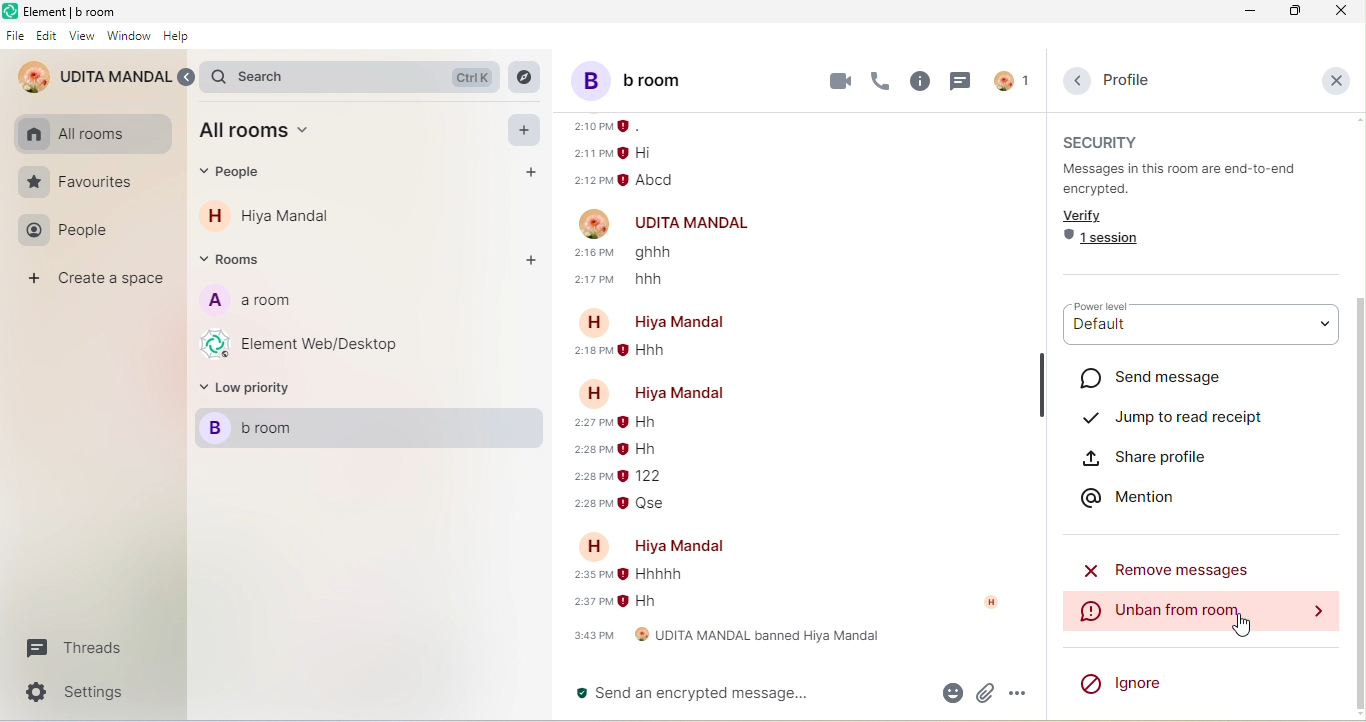  I want to click on older message from hiya mandal, so click(627, 353).